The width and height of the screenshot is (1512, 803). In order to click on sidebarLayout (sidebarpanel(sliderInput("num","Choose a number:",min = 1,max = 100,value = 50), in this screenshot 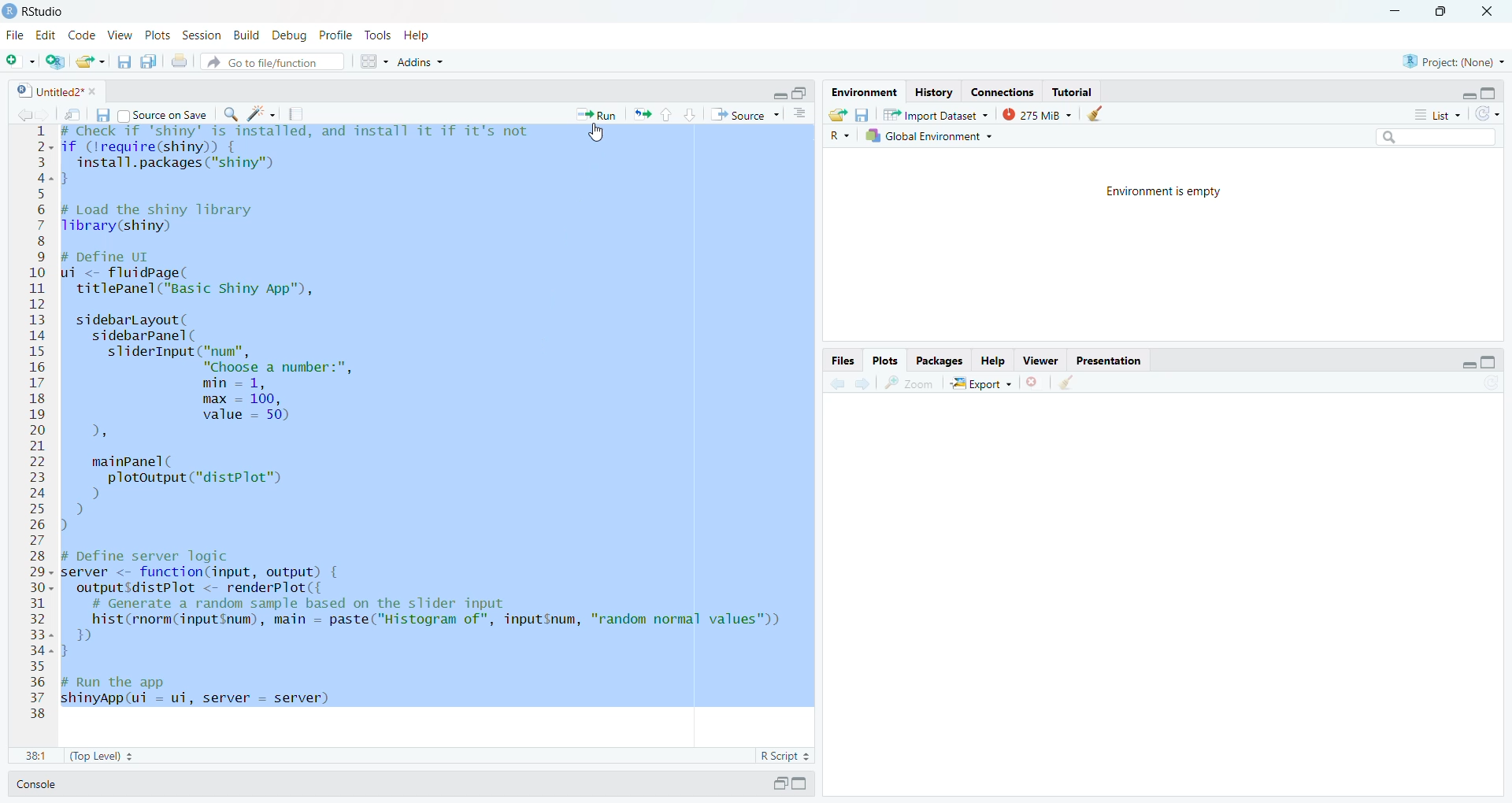, I will do `click(228, 378)`.